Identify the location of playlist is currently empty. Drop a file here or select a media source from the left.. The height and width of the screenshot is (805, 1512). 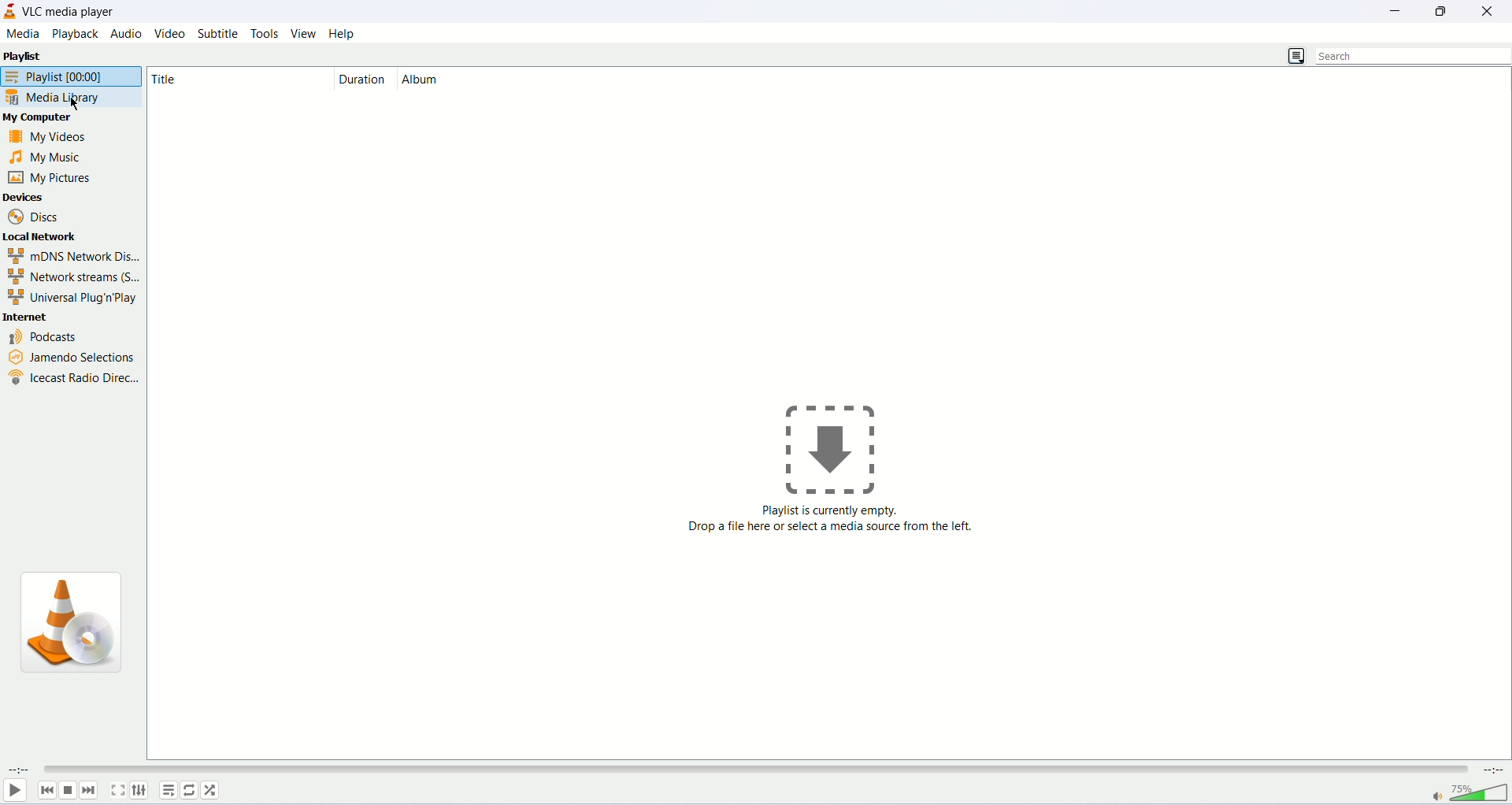
(829, 530).